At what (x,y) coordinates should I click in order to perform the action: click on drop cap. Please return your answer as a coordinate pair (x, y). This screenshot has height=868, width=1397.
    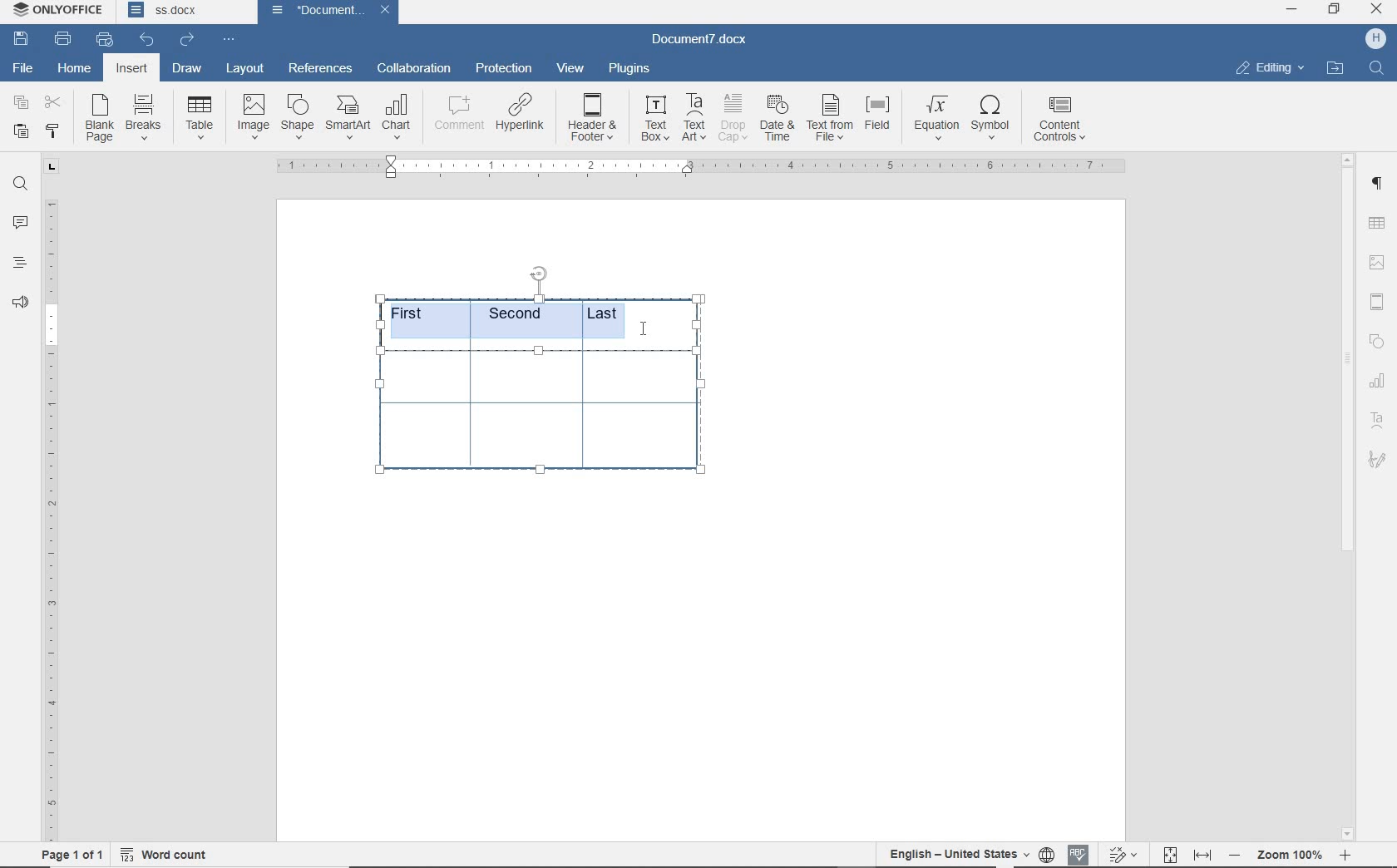
    Looking at the image, I should click on (733, 118).